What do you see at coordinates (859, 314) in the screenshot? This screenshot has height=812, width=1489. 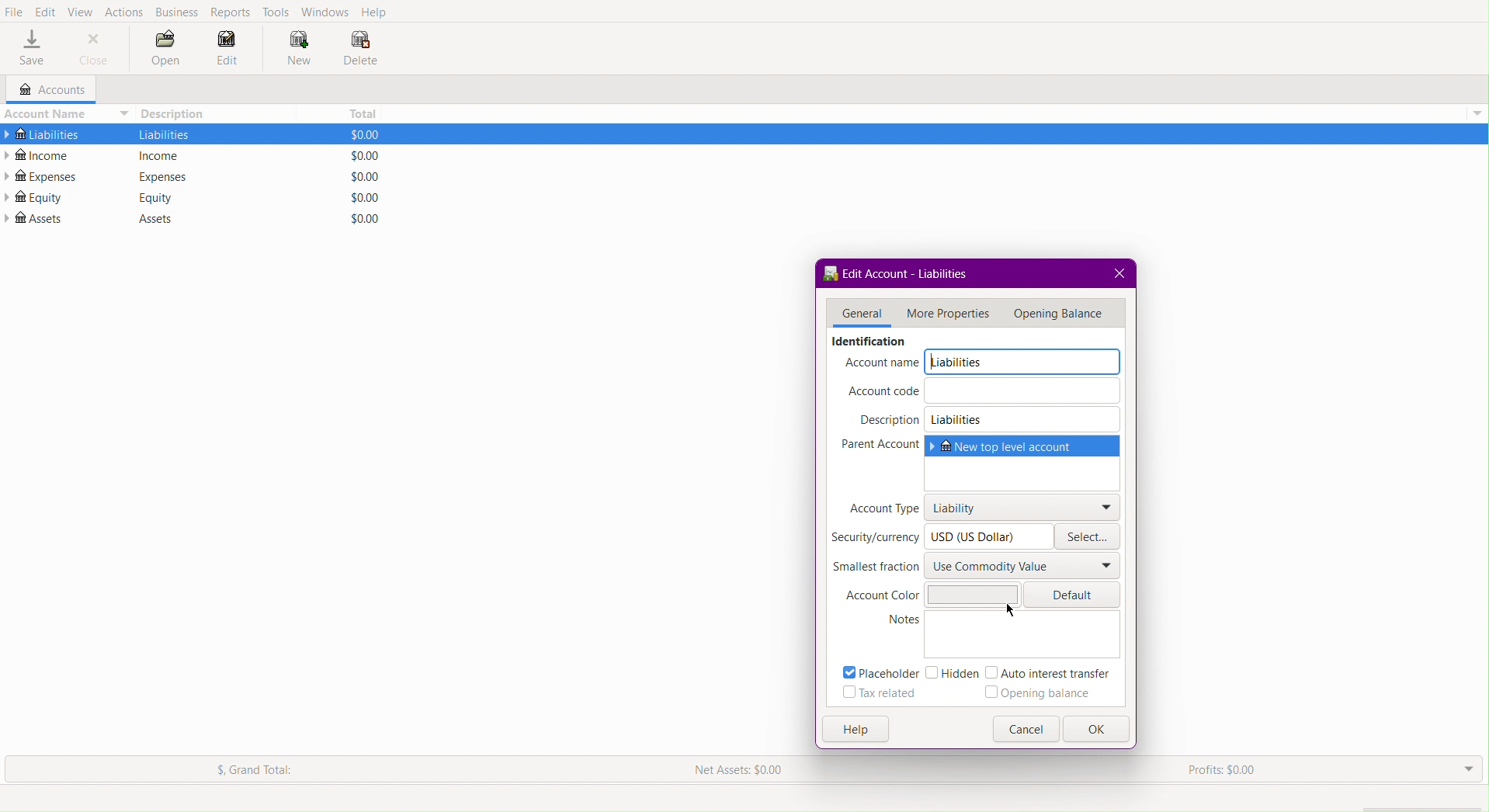 I see `General` at bounding box center [859, 314].